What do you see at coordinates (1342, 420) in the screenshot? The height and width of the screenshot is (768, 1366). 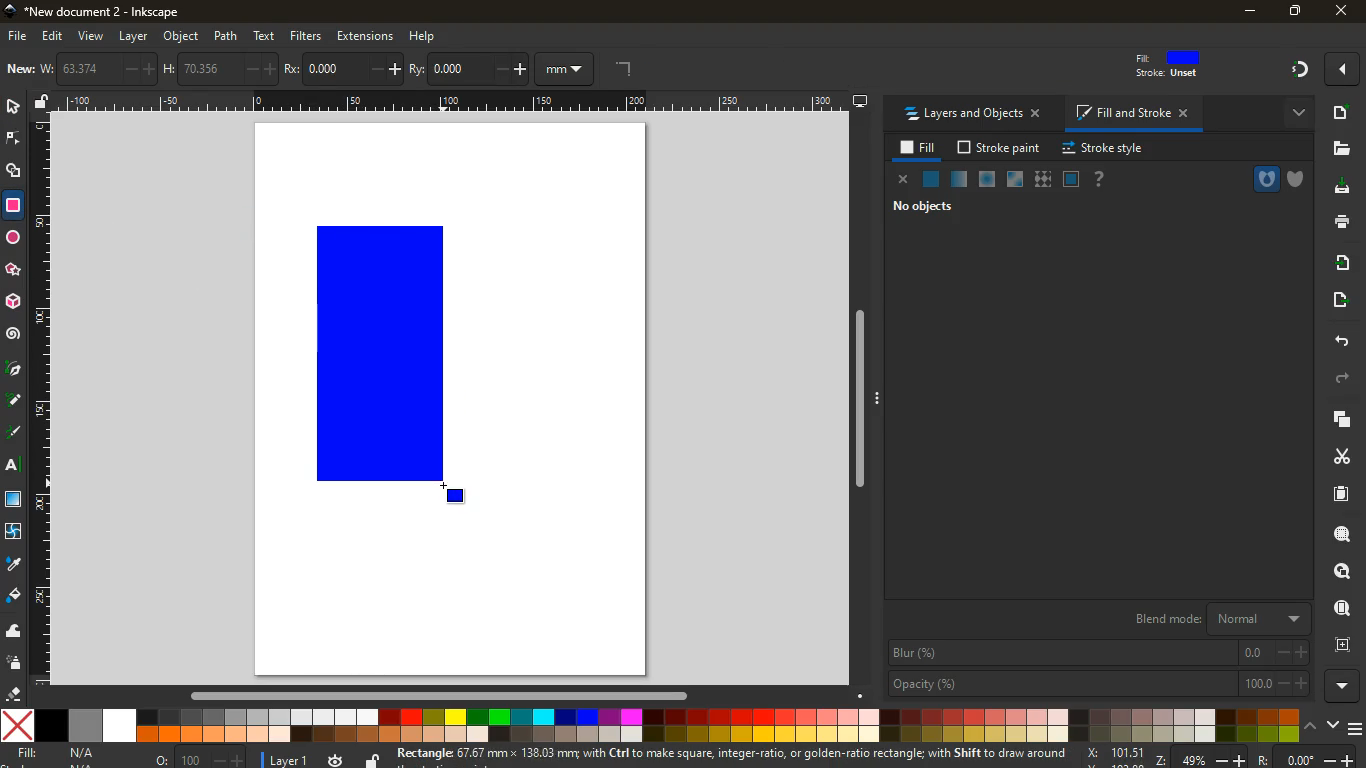 I see `layers` at bounding box center [1342, 420].